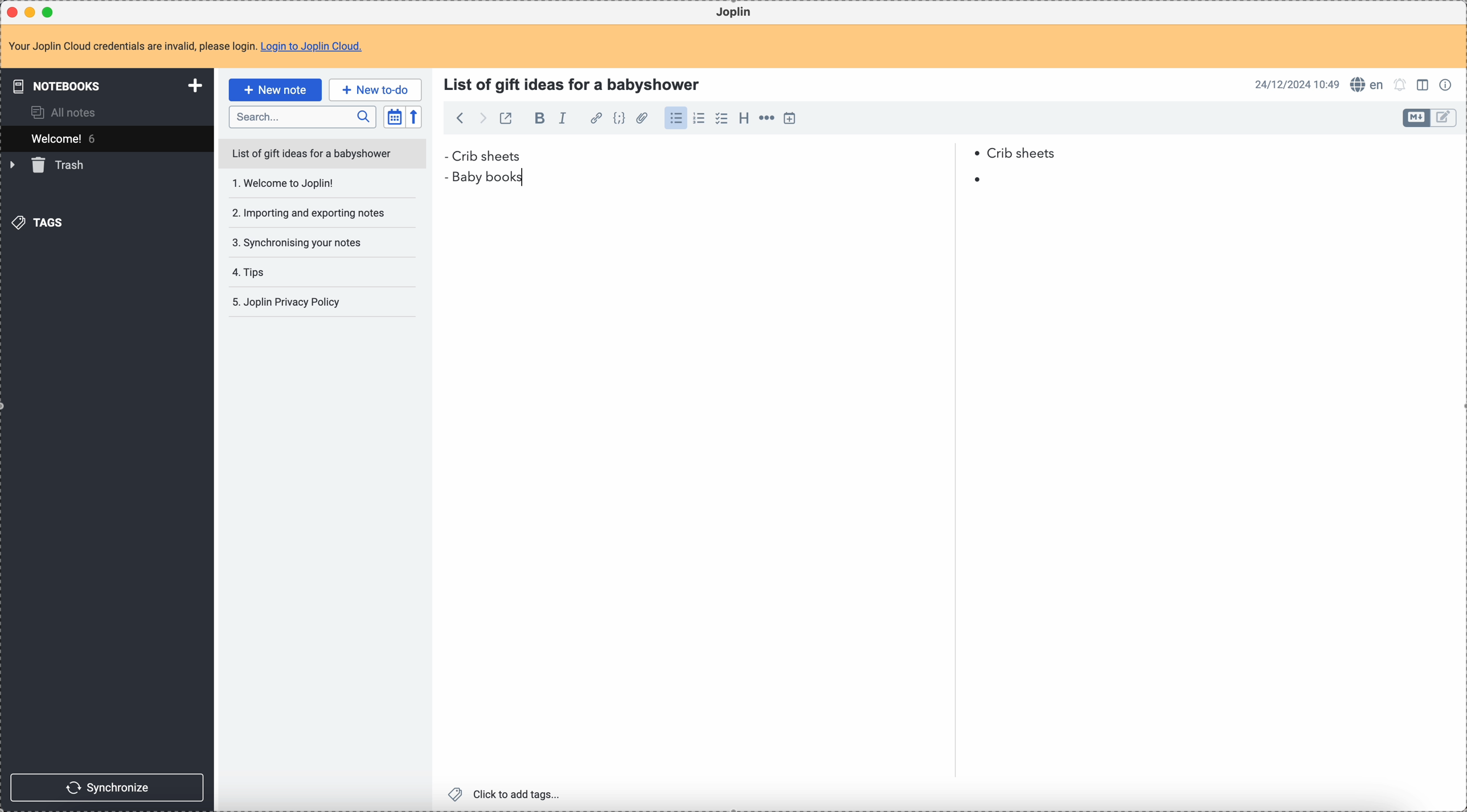 The height and width of the screenshot is (812, 1467). What do you see at coordinates (448, 176) in the screenshot?
I see `bullet point` at bounding box center [448, 176].